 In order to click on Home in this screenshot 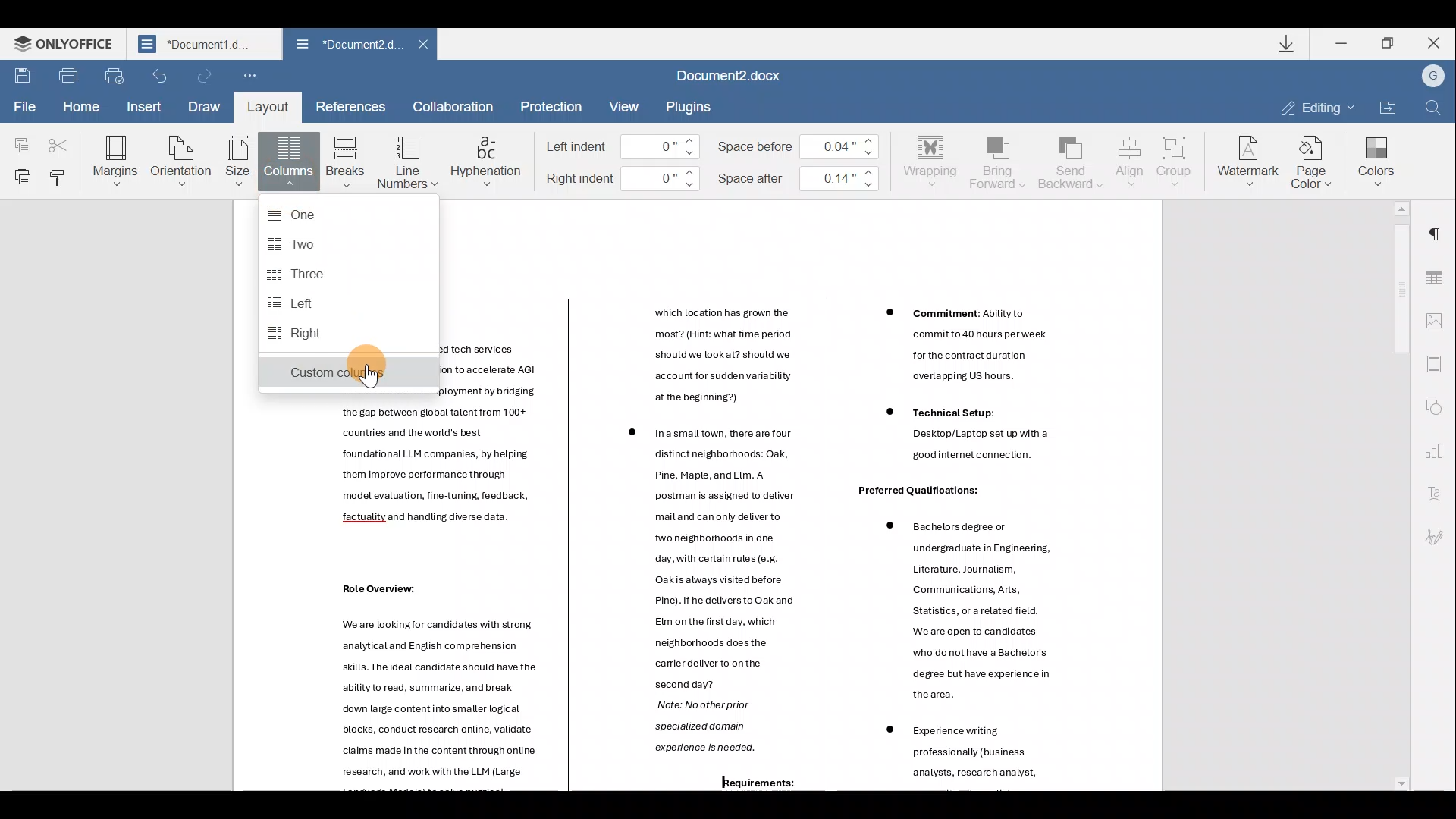, I will do `click(80, 105)`.